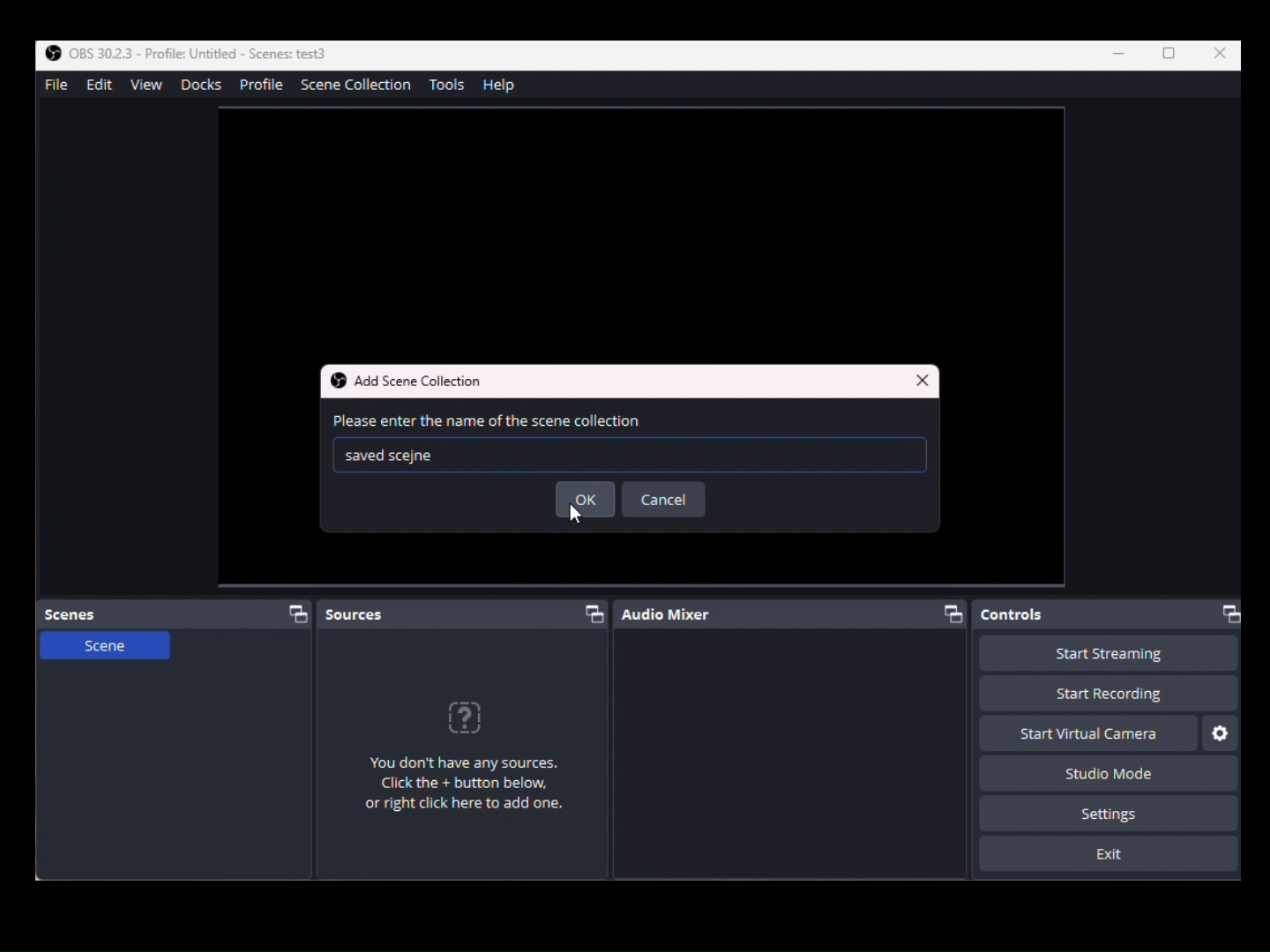 The image size is (1270, 952). What do you see at coordinates (361, 87) in the screenshot?
I see `SceneCollection` at bounding box center [361, 87].